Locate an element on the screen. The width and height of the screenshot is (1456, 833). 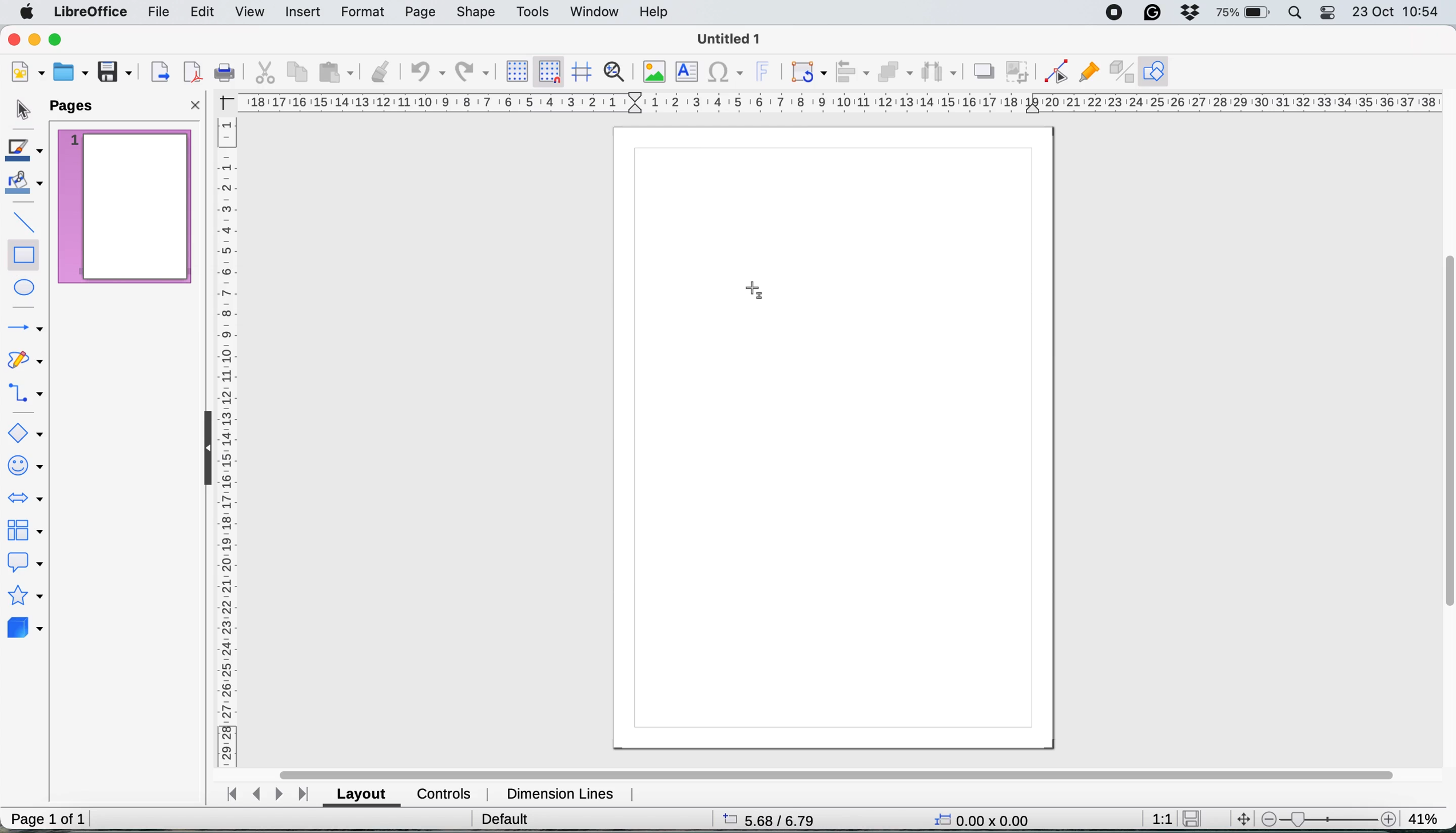
screen recorder is located at coordinates (1112, 13).